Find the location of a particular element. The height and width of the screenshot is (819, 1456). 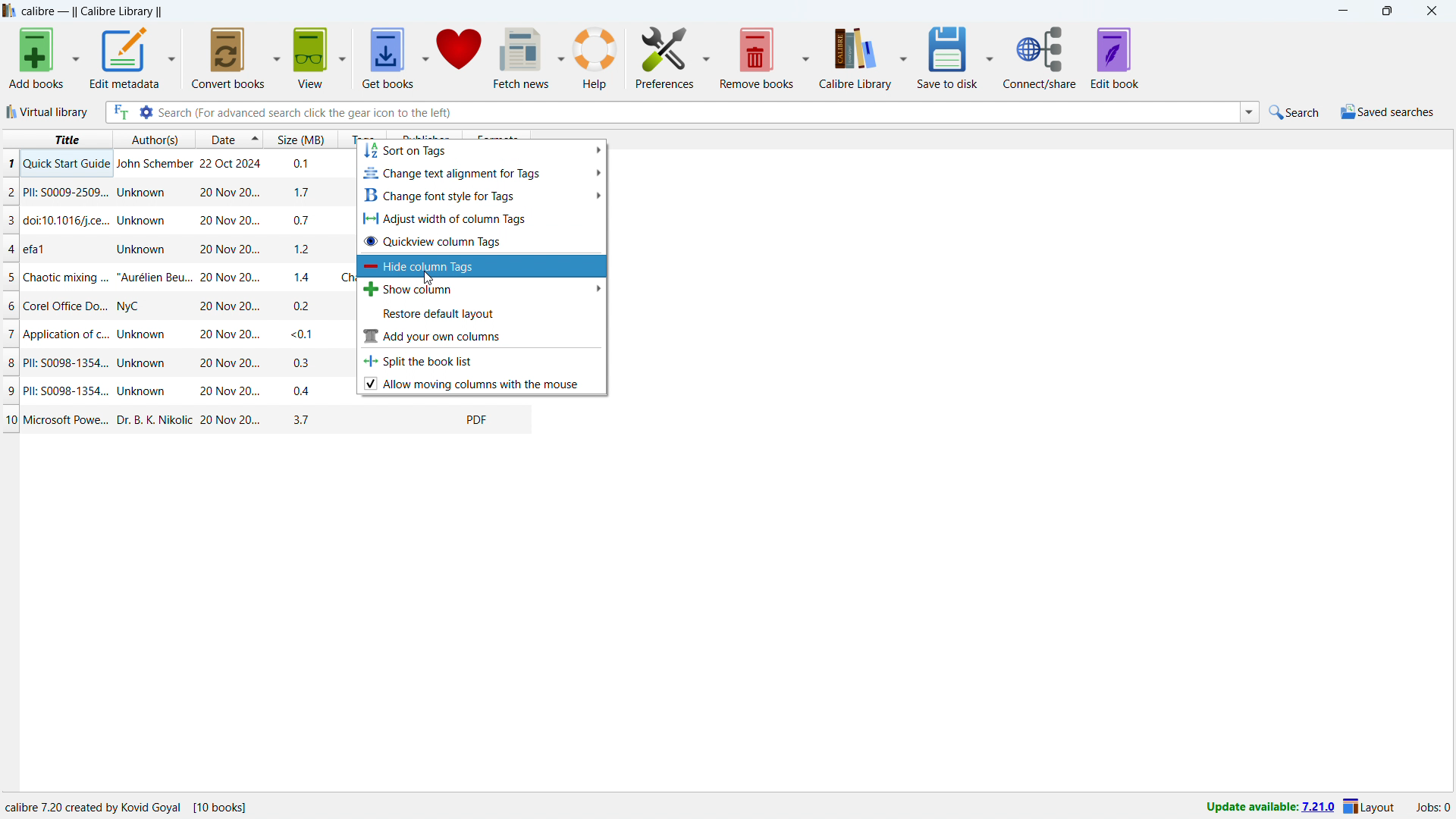

enter search string is located at coordinates (699, 113).